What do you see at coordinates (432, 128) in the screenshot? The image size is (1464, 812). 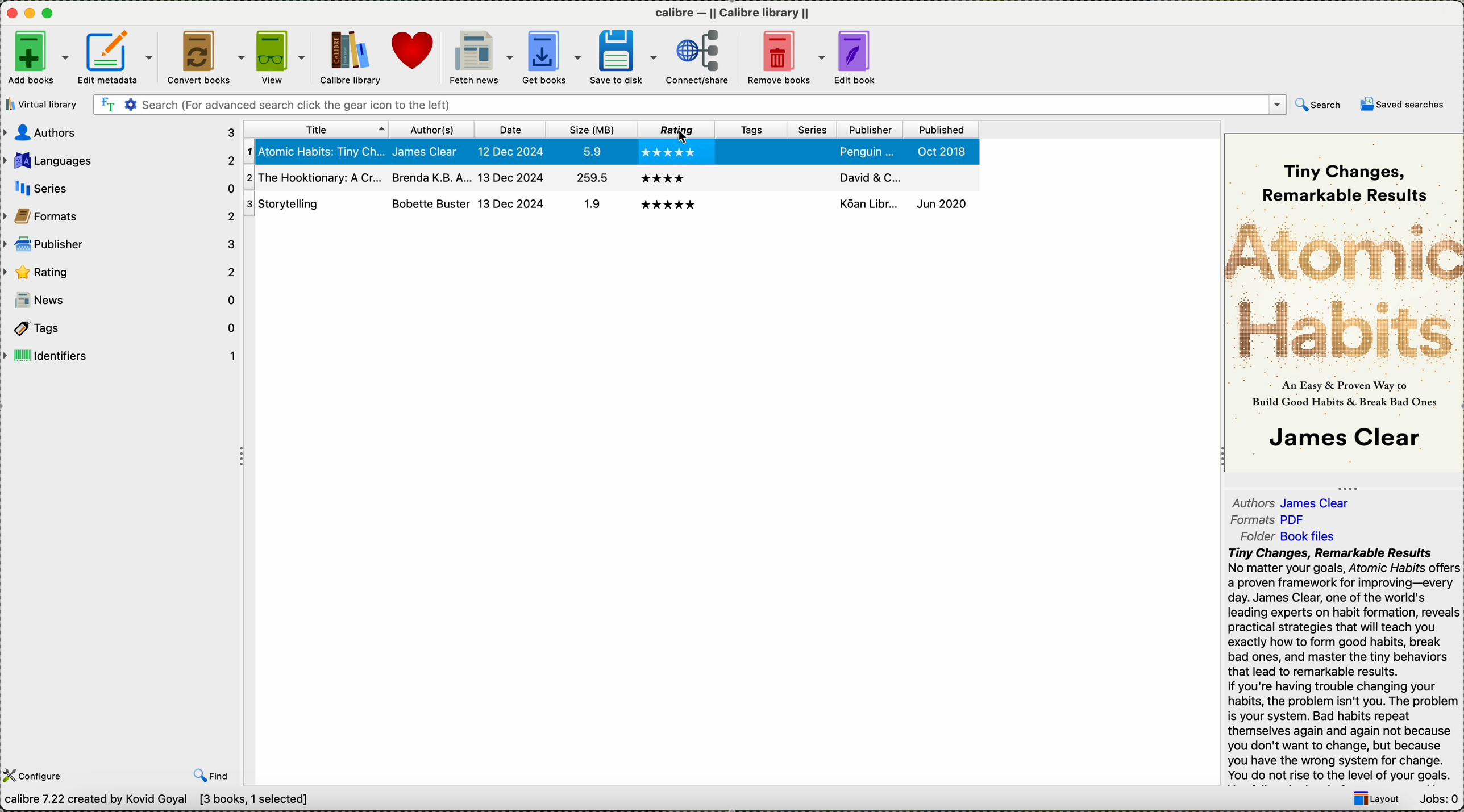 I see `authors` at bounding box center [432, 128].